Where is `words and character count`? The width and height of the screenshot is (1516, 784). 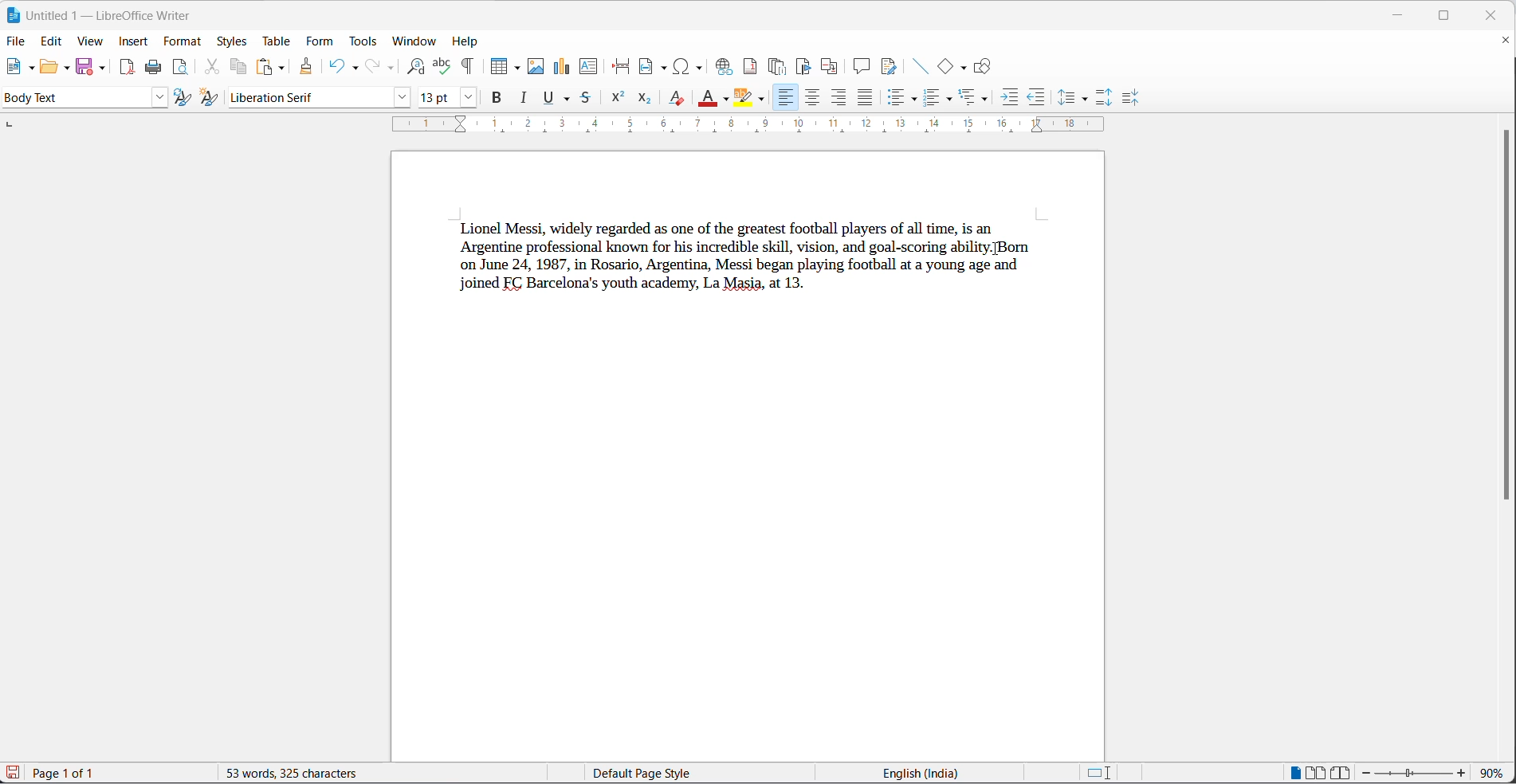 words and character count is located at coordinates (299, 774).